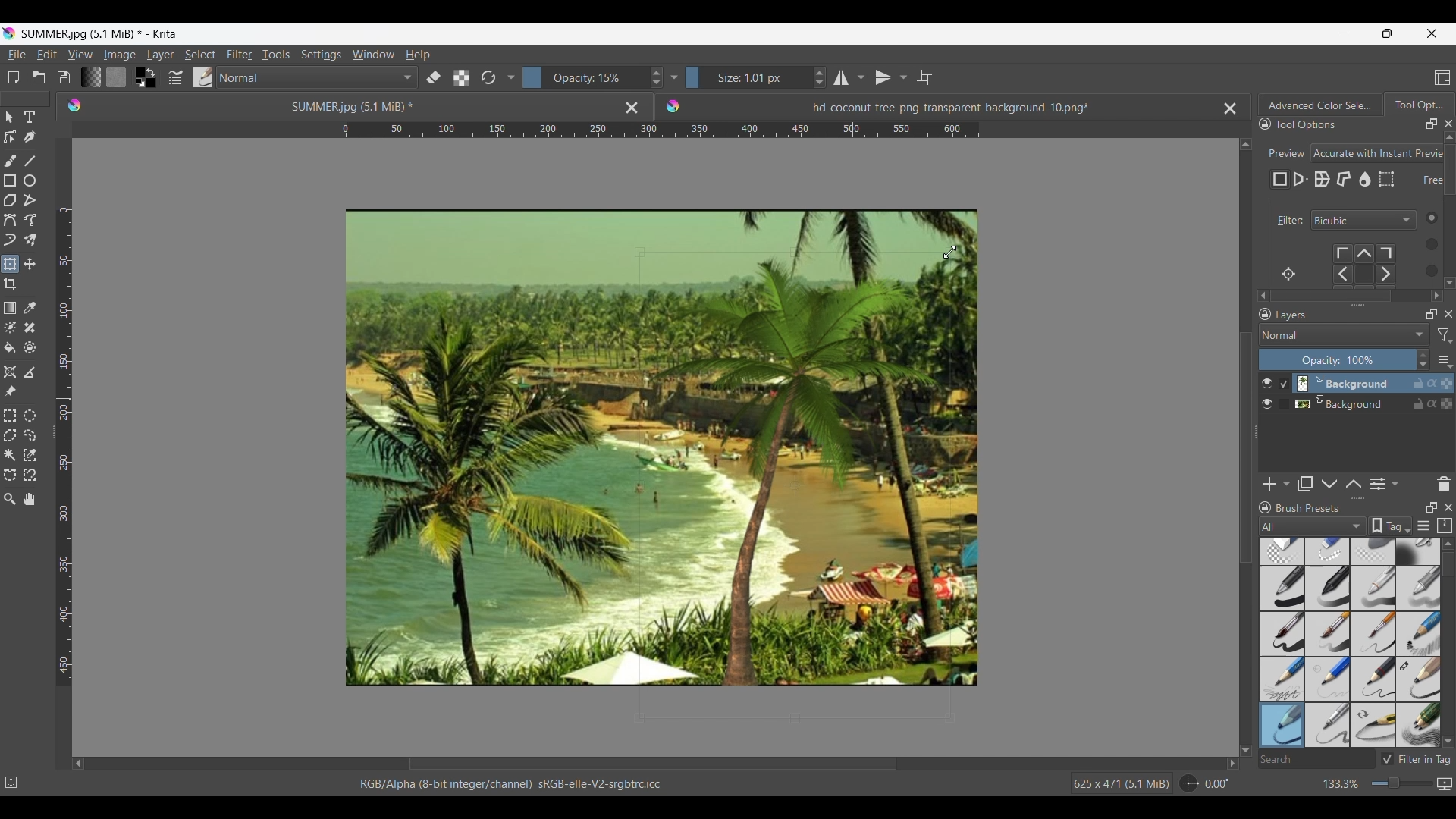 This screenshot has height=819, width=1456. What do you see at coordinates (1432, 33) in the screenshot?
I see `Close interface` at bounding box center [1432, 33].